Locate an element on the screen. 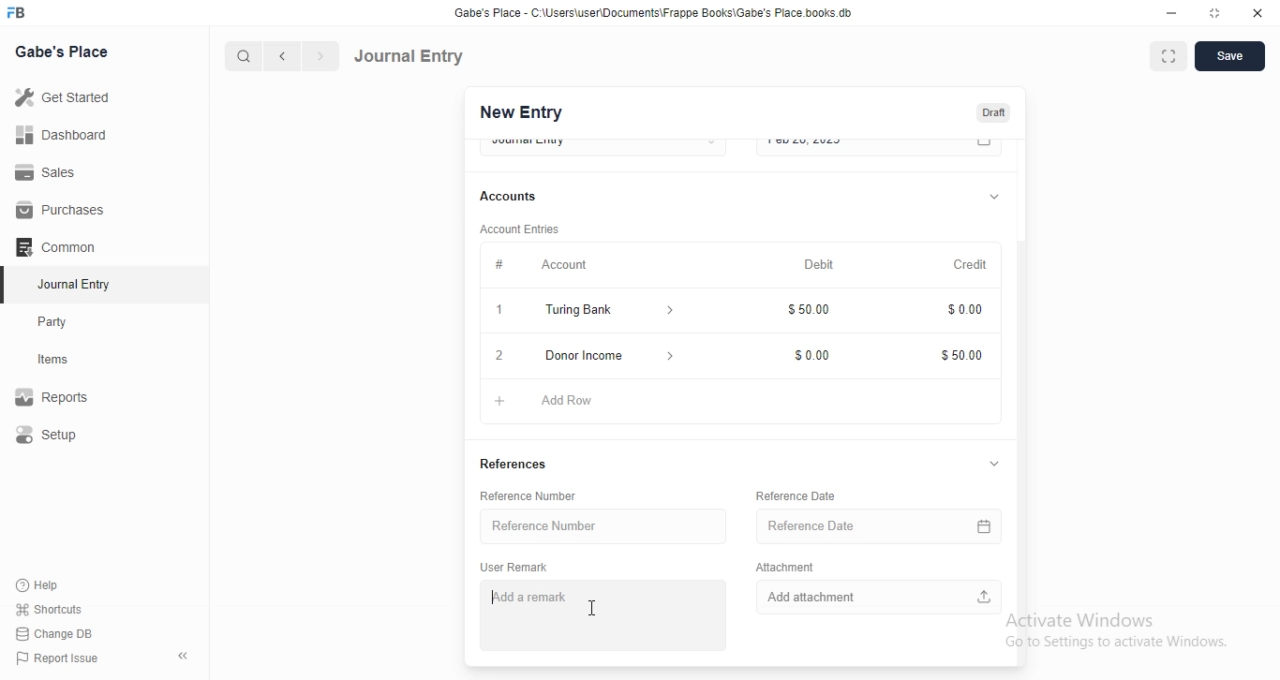  Add attachment is located at coordinates (880, 595).